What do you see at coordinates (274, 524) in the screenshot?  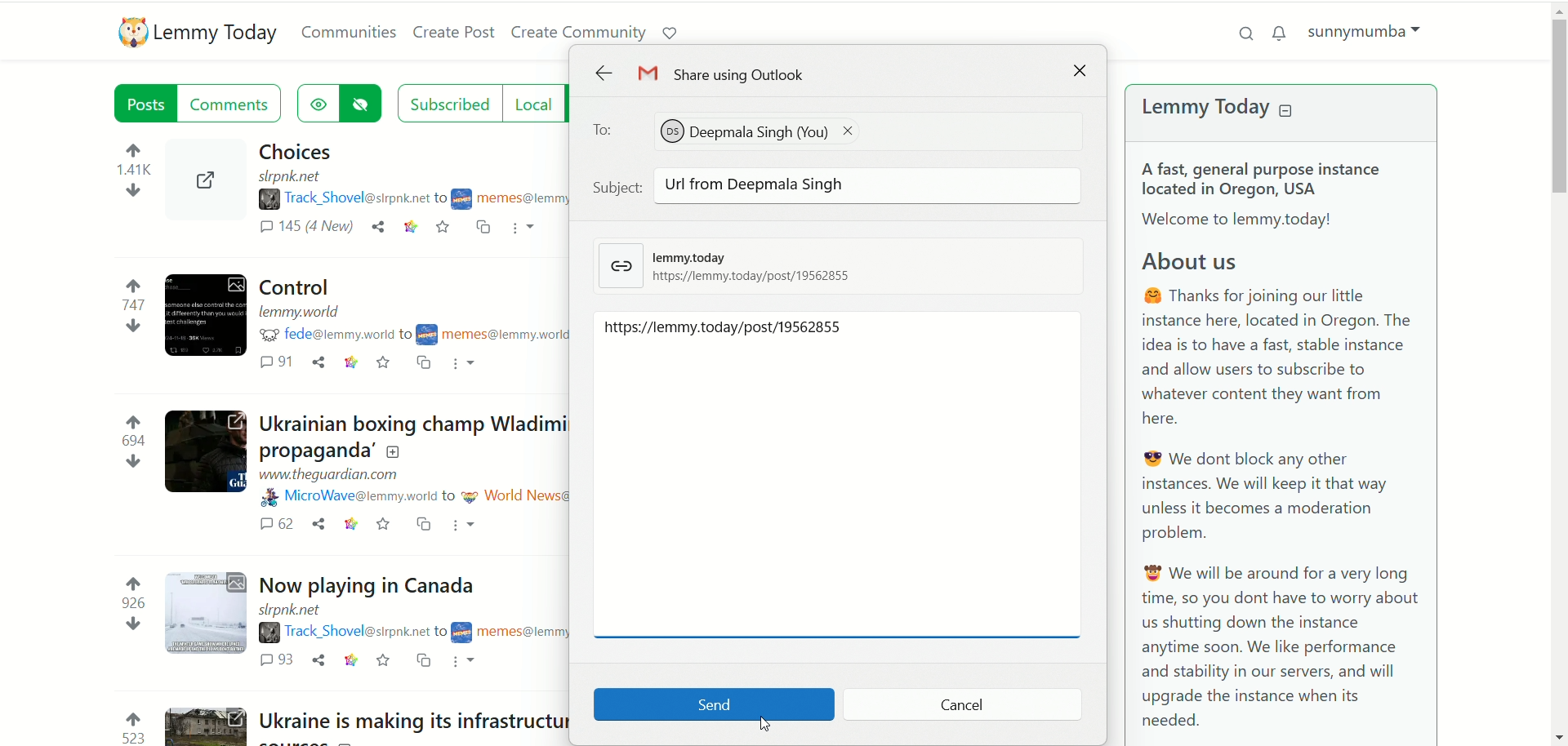 I see `comments` at bounding box center [274, 524].